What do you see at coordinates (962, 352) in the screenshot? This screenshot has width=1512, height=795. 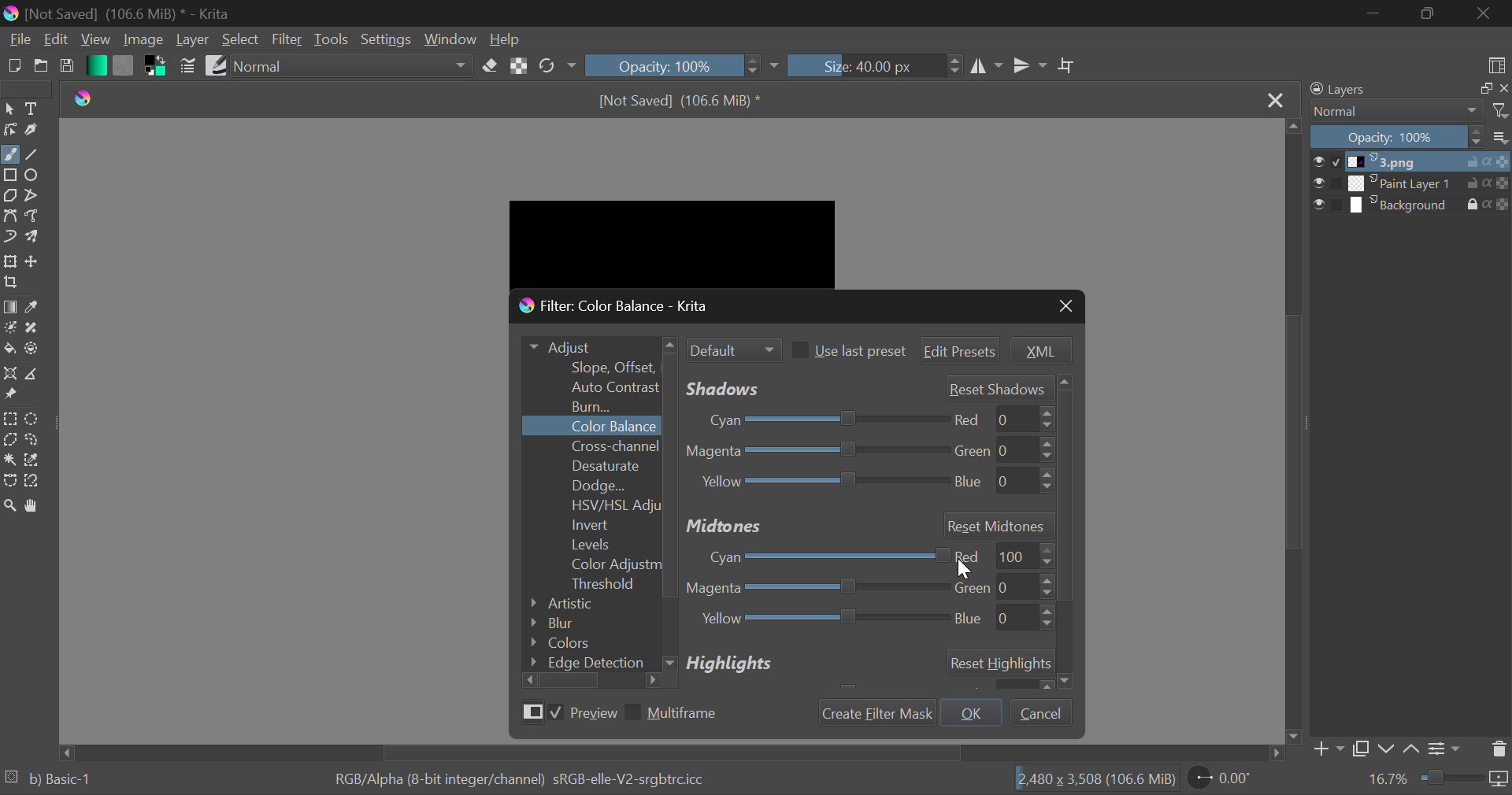 I see `Edit Presets` at bounding box center [962, 352].